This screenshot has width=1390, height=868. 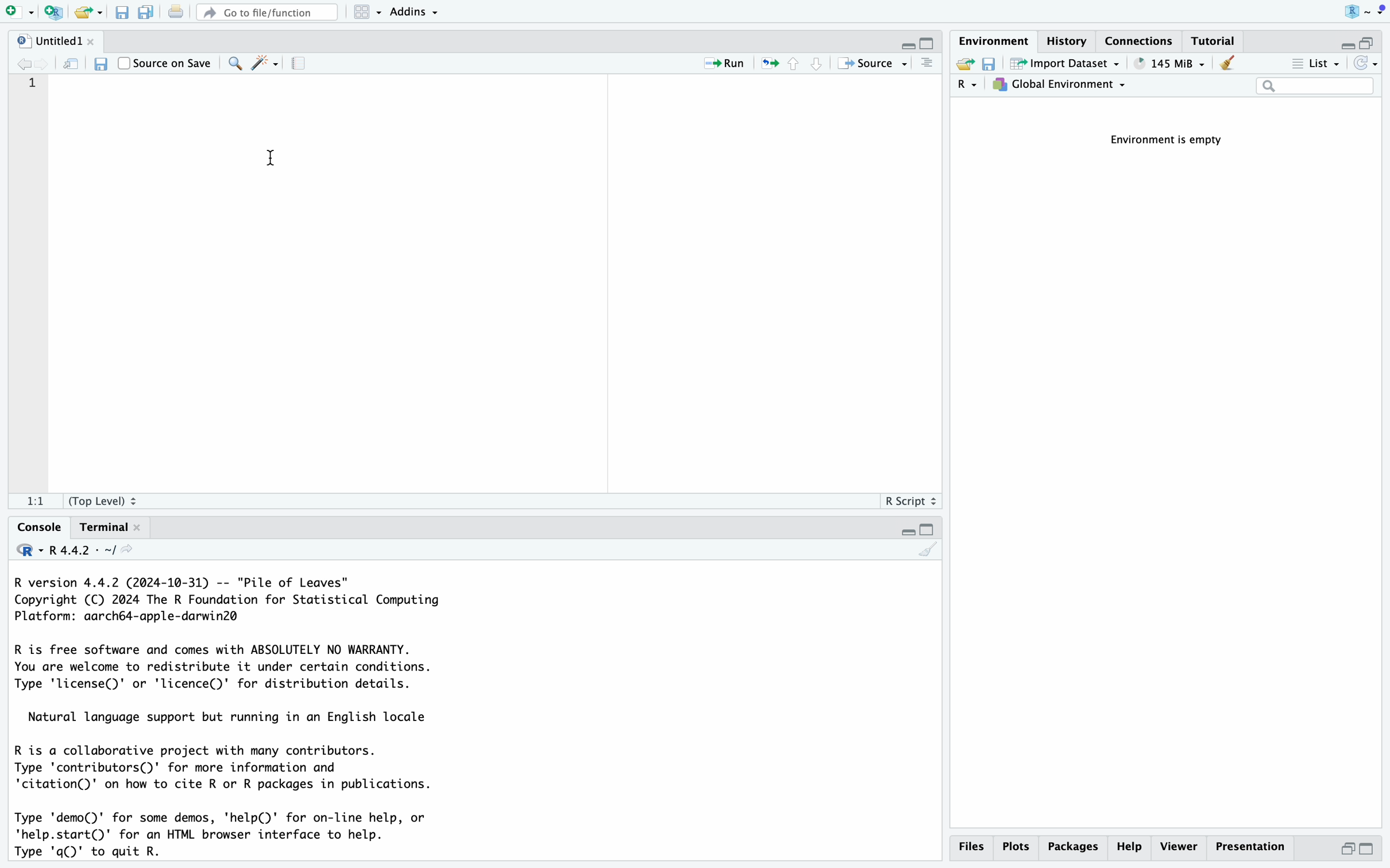 What do you see at coordinates (86, 551) in the screenshot?
I see `R 4.4.2 . ~/` at bounding box center [86, 551].